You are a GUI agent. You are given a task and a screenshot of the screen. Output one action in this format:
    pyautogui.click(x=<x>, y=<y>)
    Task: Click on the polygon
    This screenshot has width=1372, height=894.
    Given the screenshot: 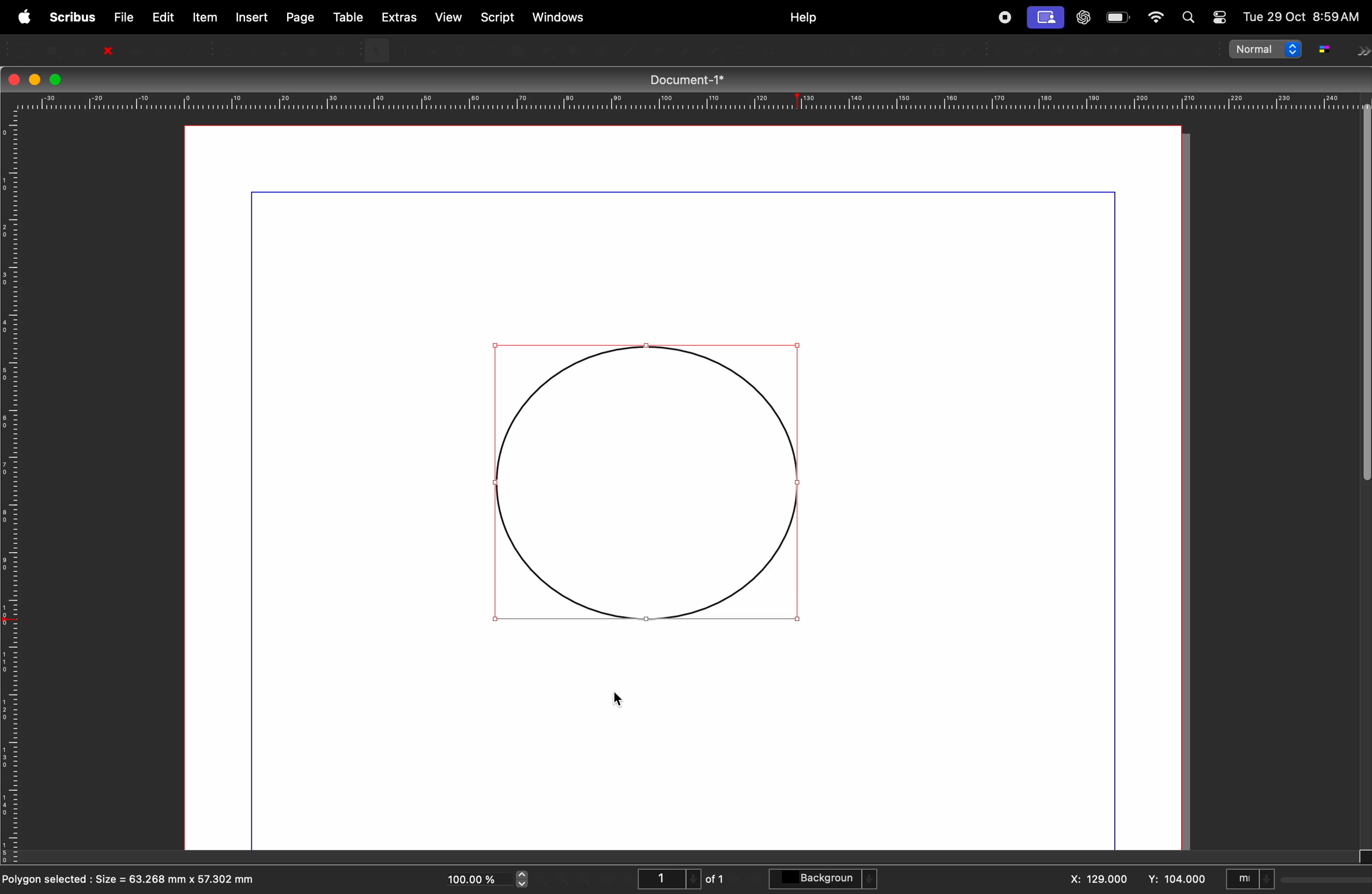 What is the action you would take?
    pyautogui.click(x=546, y=51)
    